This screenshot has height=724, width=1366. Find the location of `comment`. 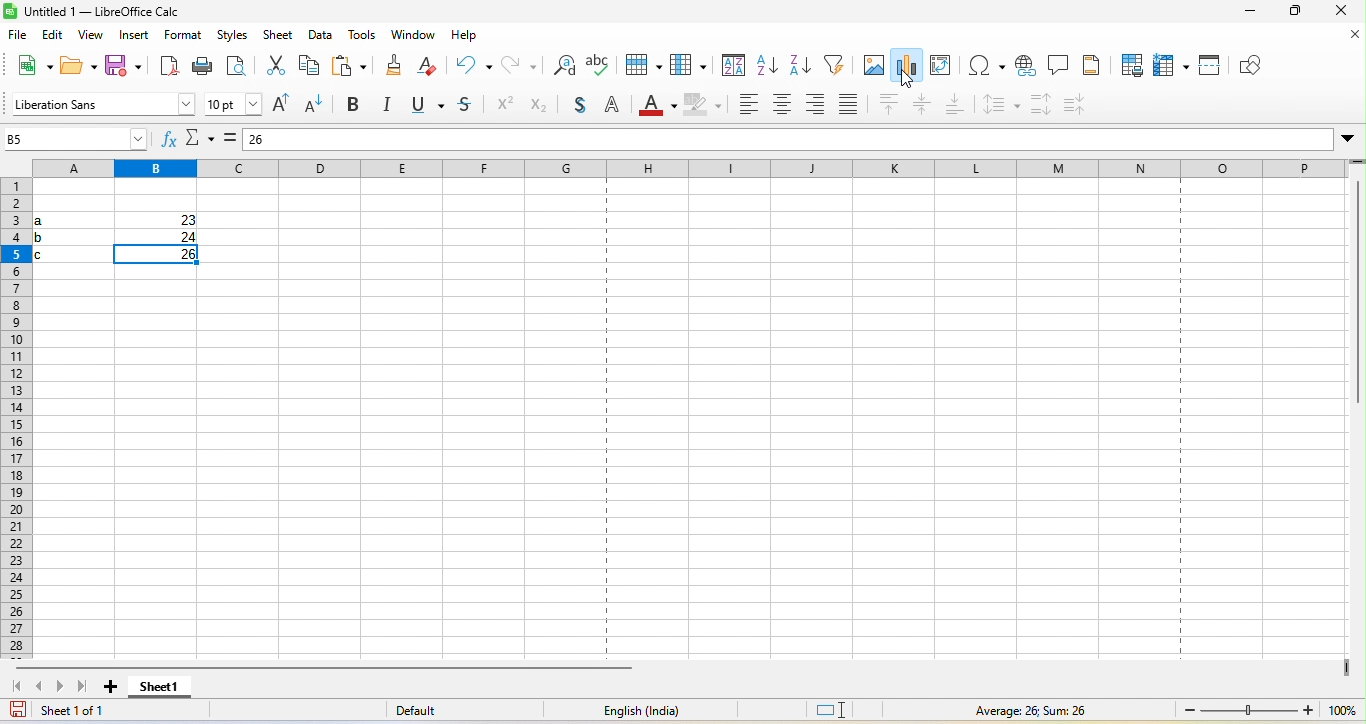

comment is located at coordinates (1058, 63).